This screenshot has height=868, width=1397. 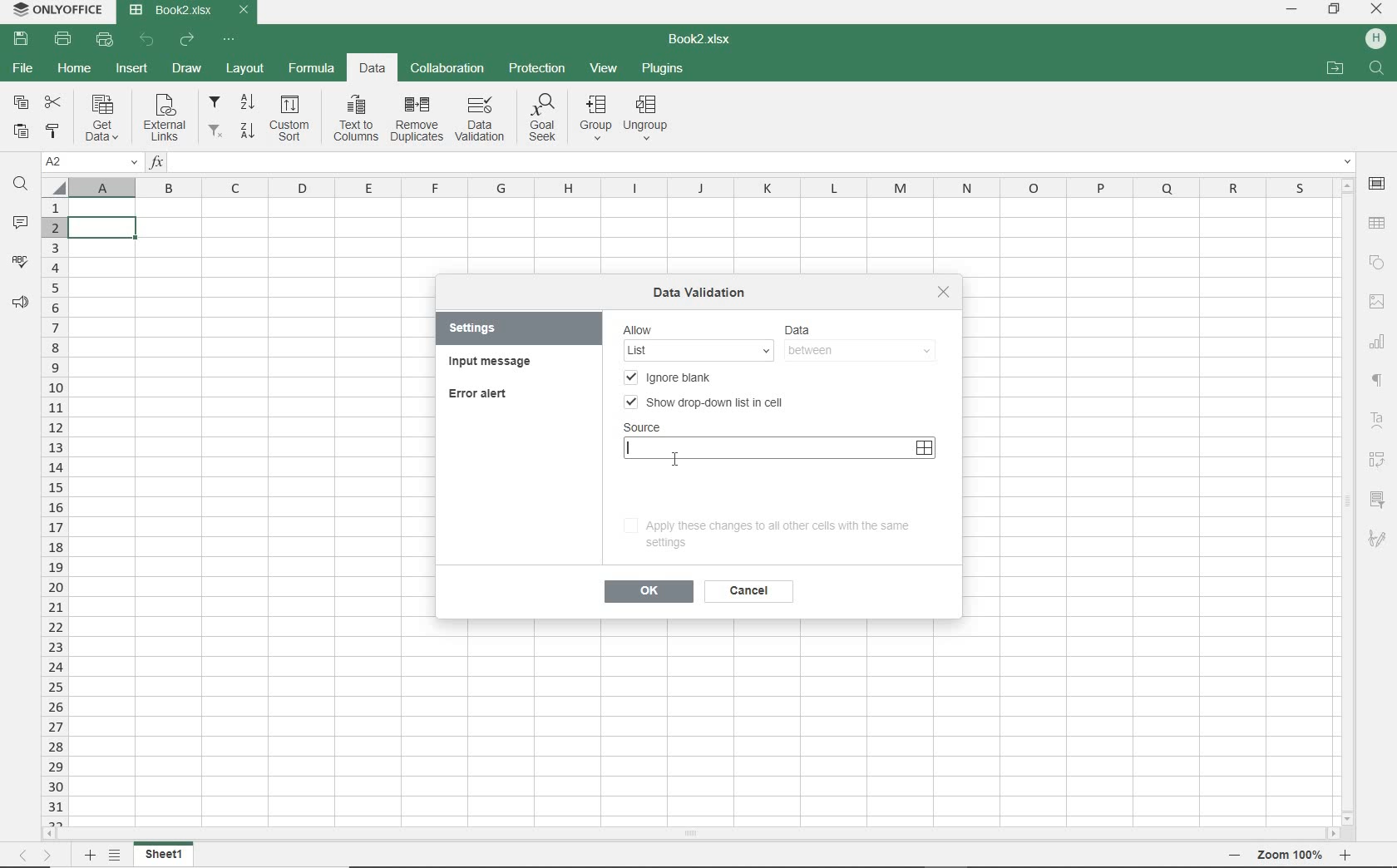 What do you see at coordinates (314, 70) in the screenshot?
I see `FORMULA` at bounding box center [314, 70].